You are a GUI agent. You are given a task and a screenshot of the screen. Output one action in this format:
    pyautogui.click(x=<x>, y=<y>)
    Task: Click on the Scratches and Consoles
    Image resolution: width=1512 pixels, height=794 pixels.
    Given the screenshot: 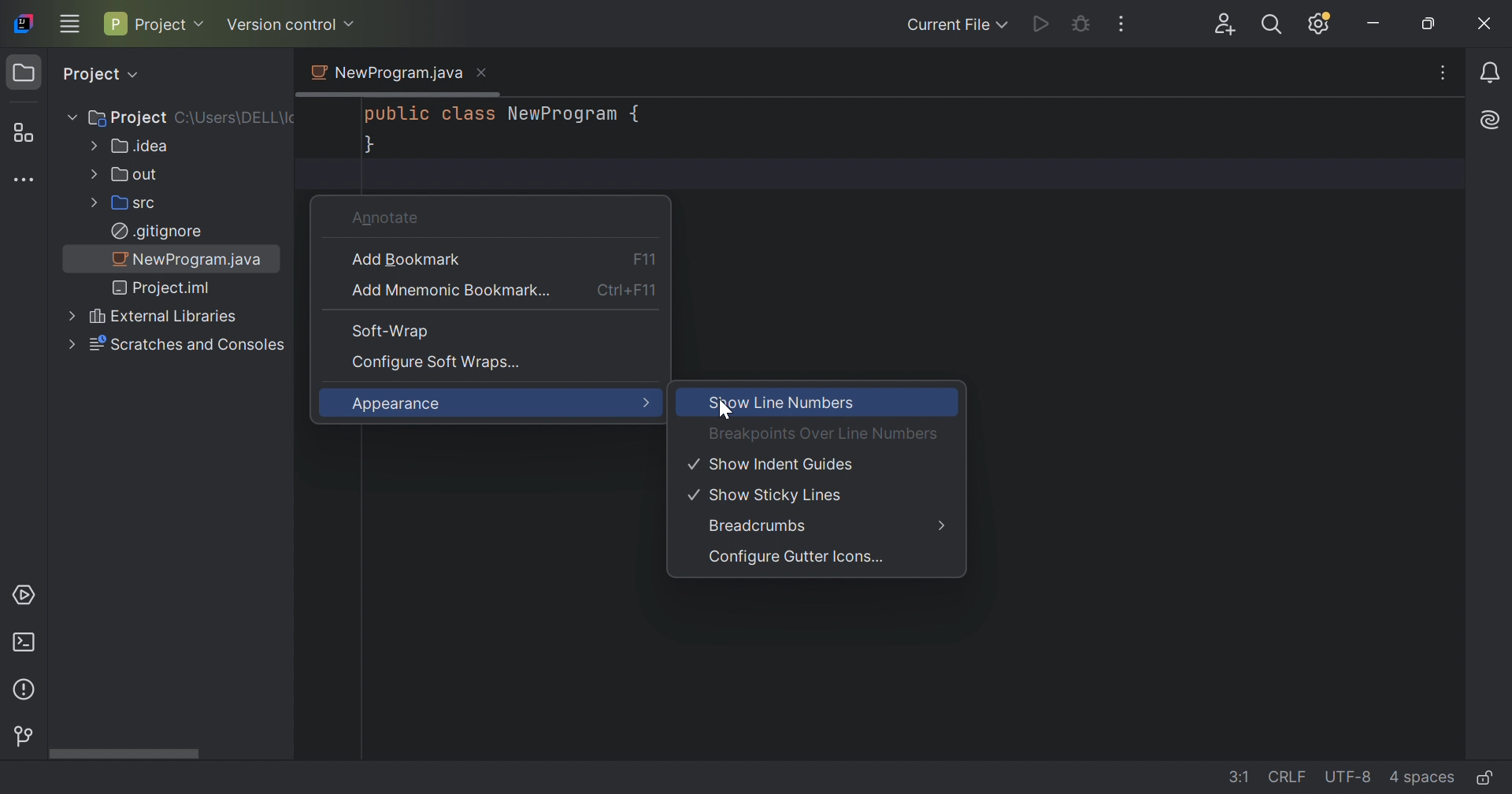 What is the action you would take?
    pyautogui.click(x=190, y=345)
    